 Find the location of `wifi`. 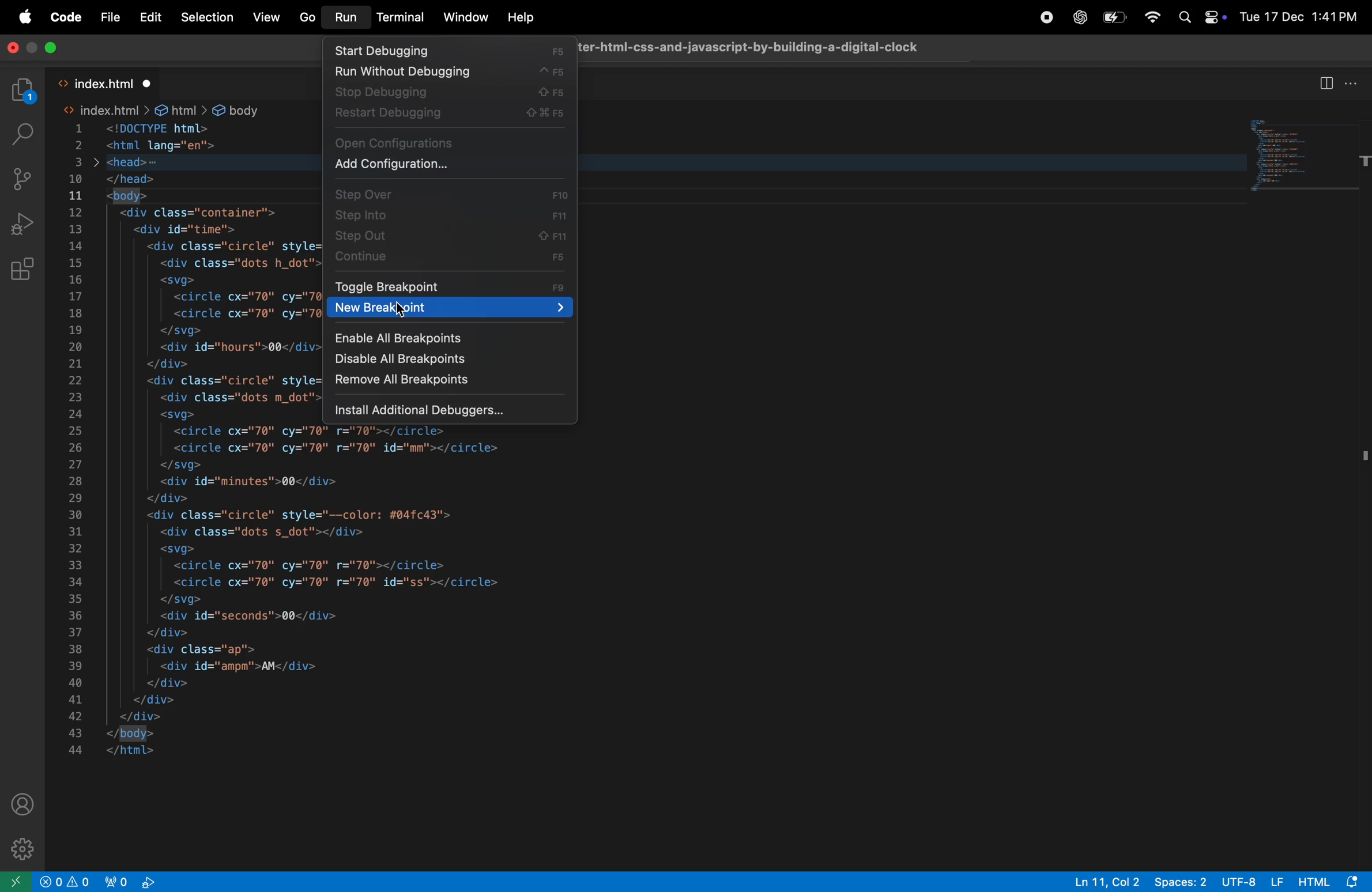

wifi is located at coordinates (1152, 16).